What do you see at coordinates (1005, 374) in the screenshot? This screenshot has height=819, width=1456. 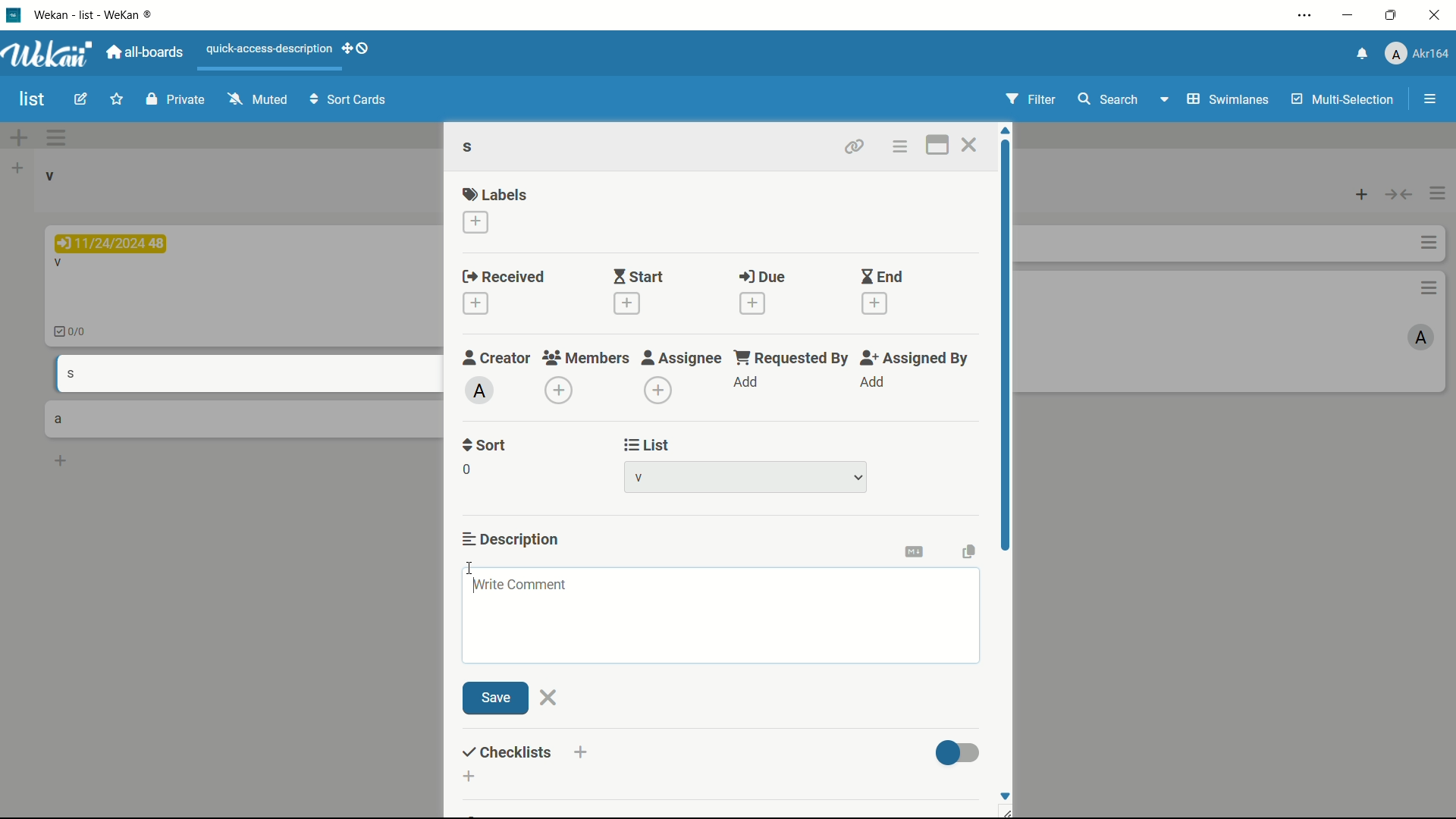 I see `scroll bar` at bounding box center [1005, 374].